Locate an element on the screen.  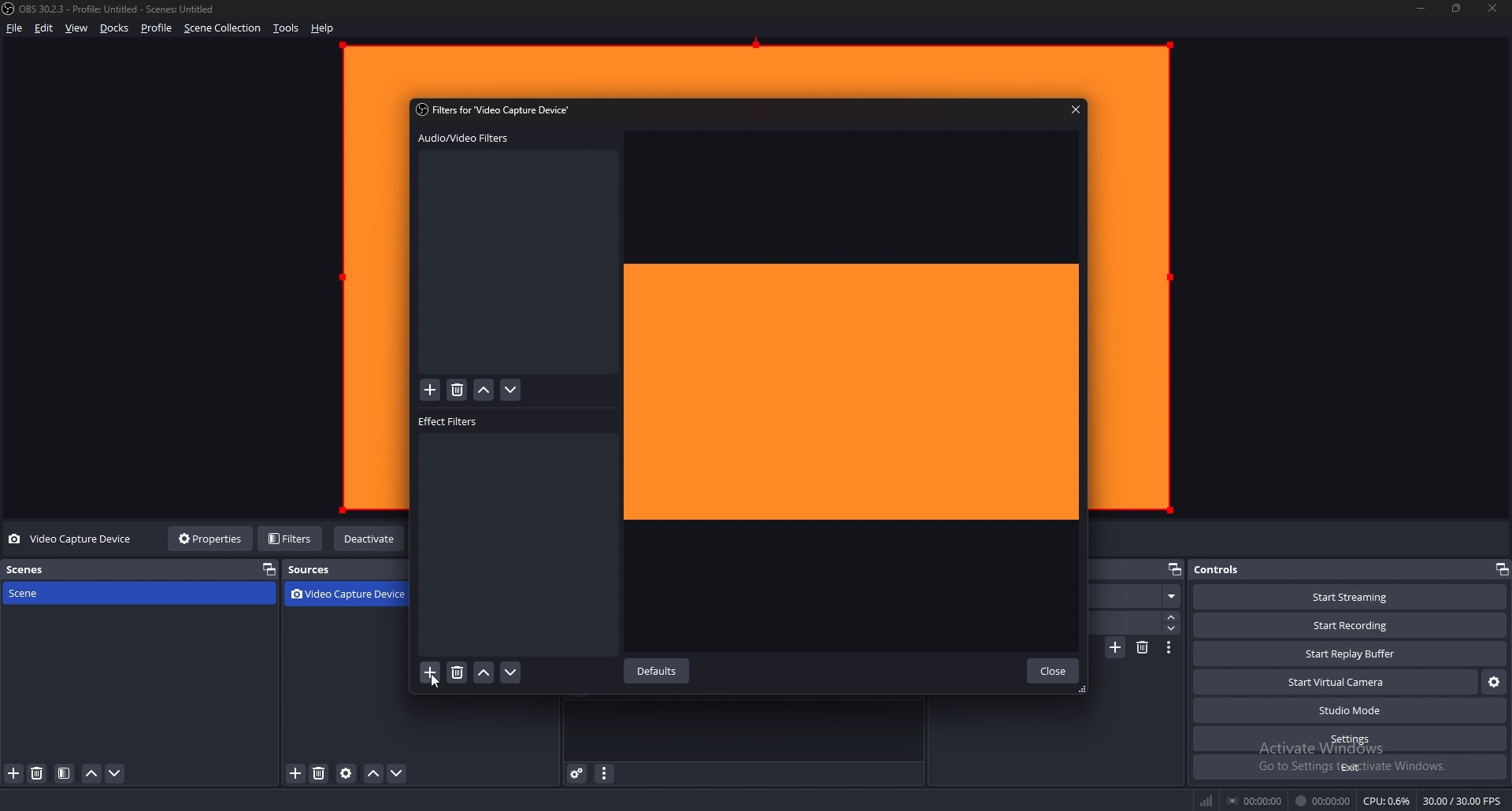
move scene up is located at coordinates (93, 774).